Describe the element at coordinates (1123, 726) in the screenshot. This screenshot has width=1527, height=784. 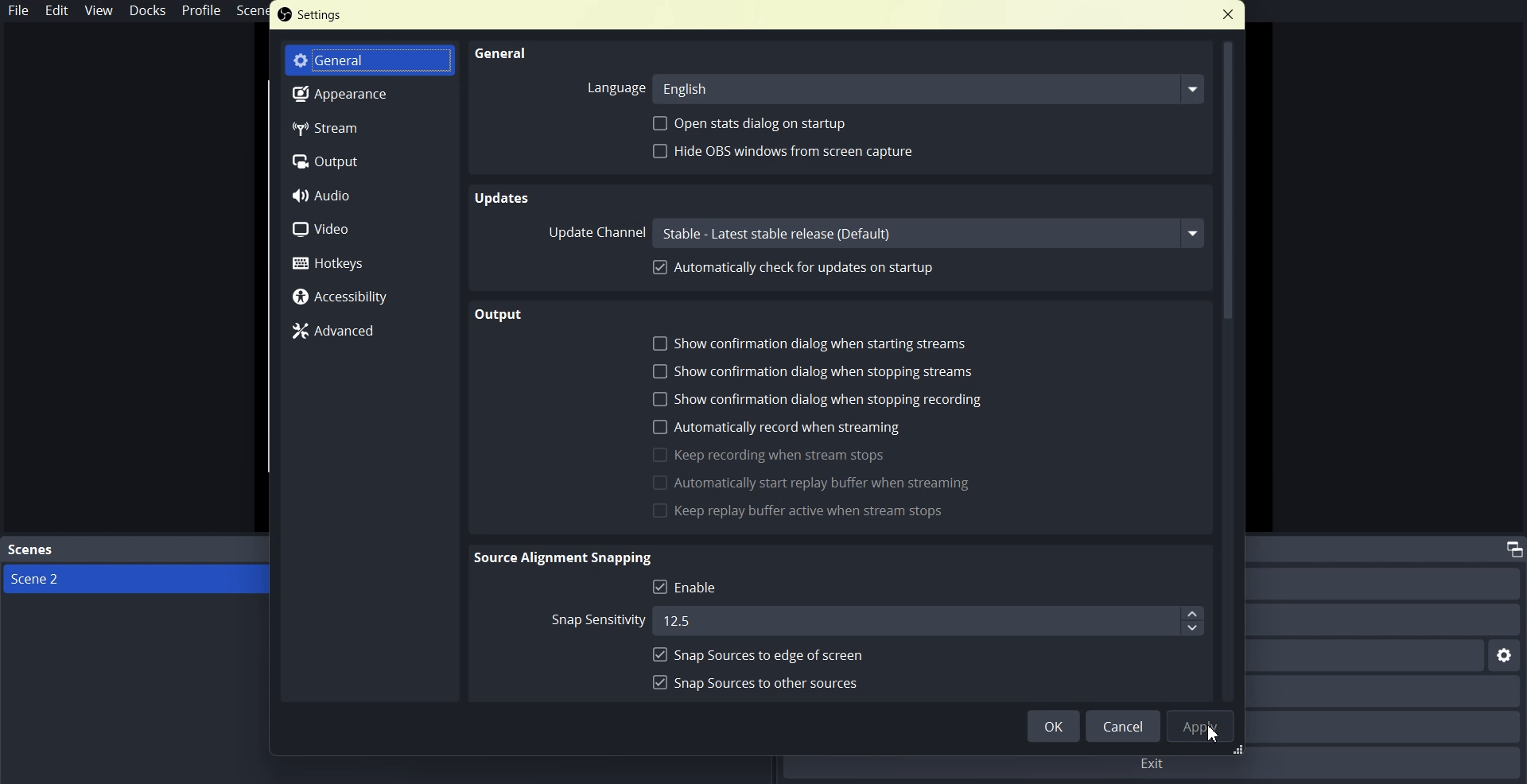
I see `cancel` at that location.